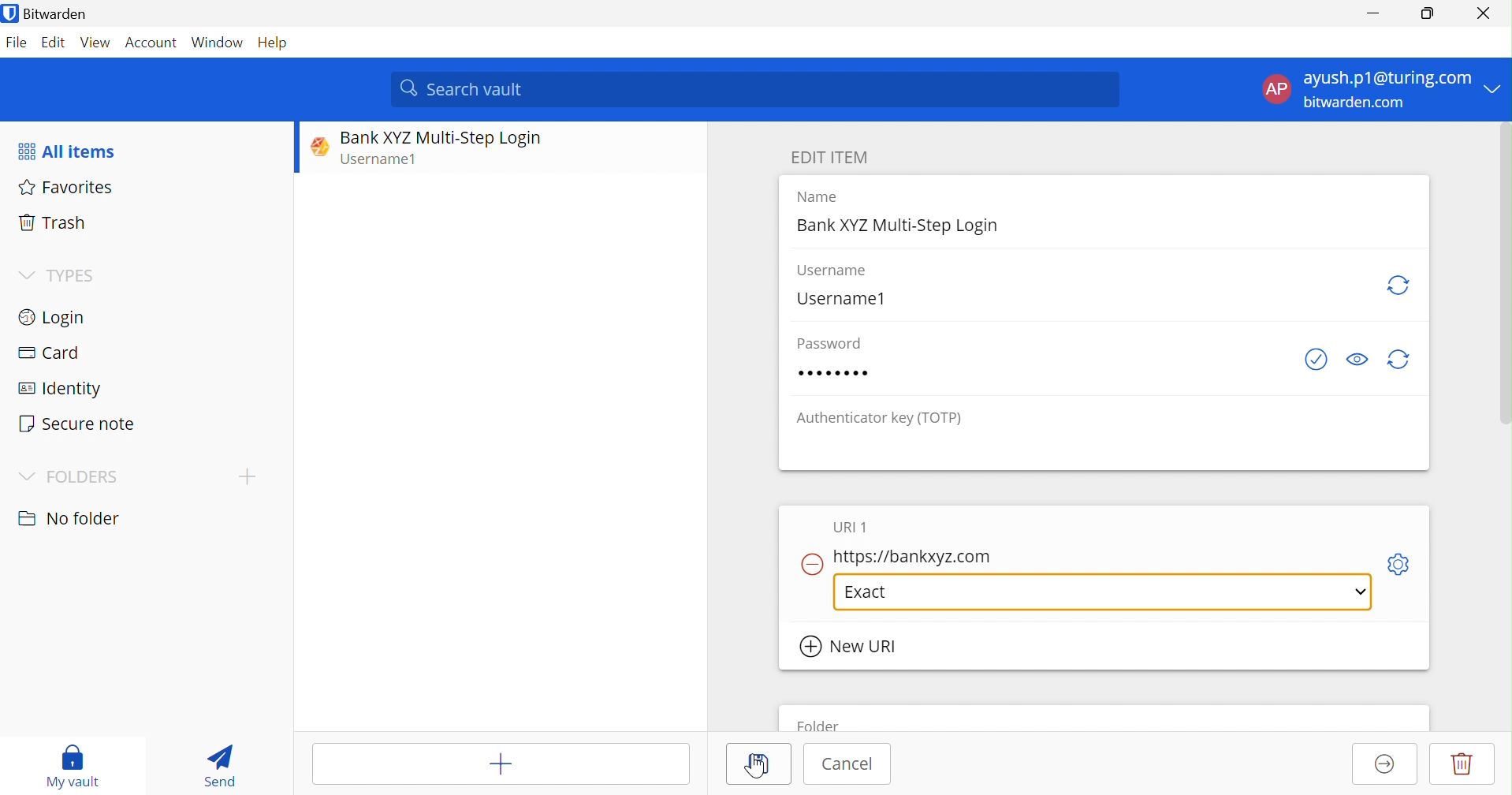 Image resolution: width=1512 pixels, height=795 pixels. I want to click on Cancel, so click(847, 763).